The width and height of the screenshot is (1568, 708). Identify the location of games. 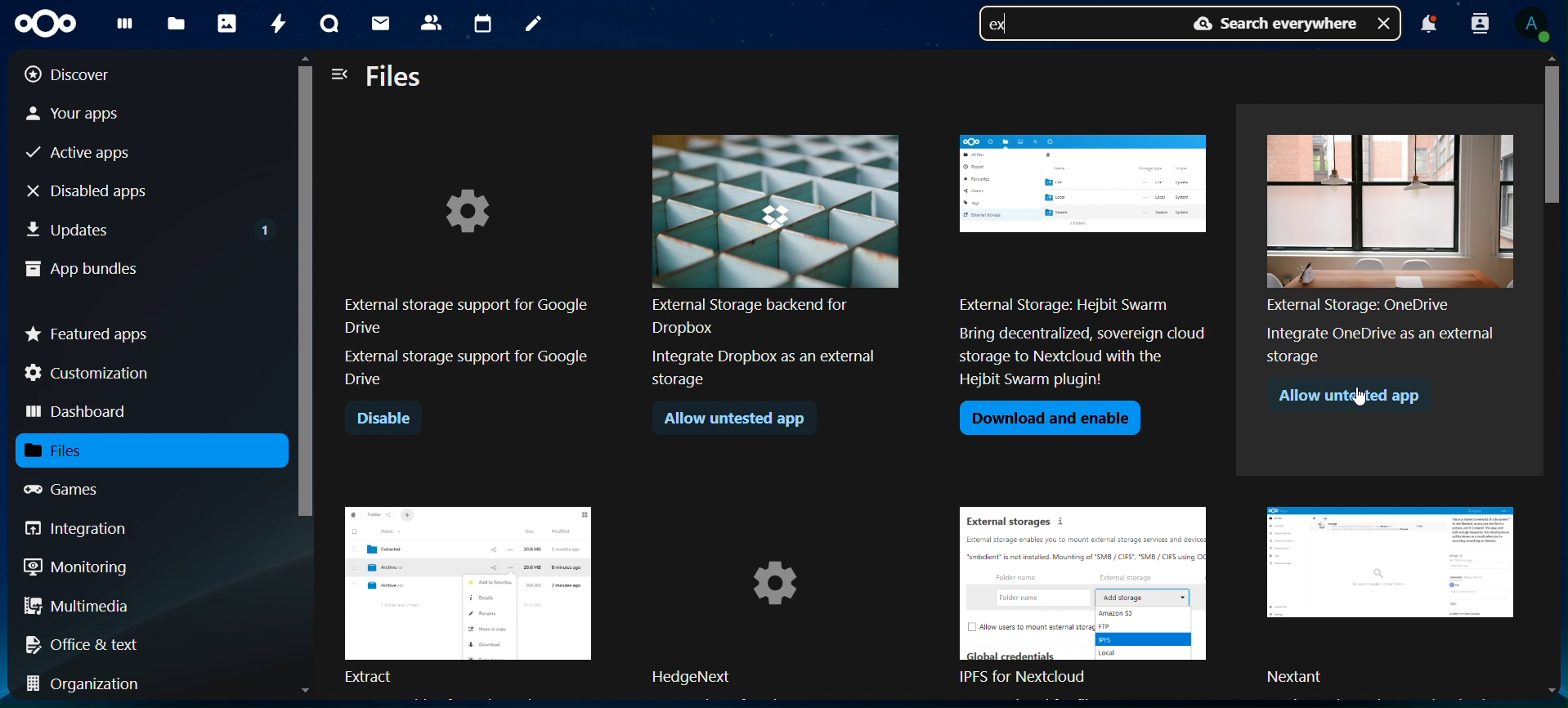
(77, 489).